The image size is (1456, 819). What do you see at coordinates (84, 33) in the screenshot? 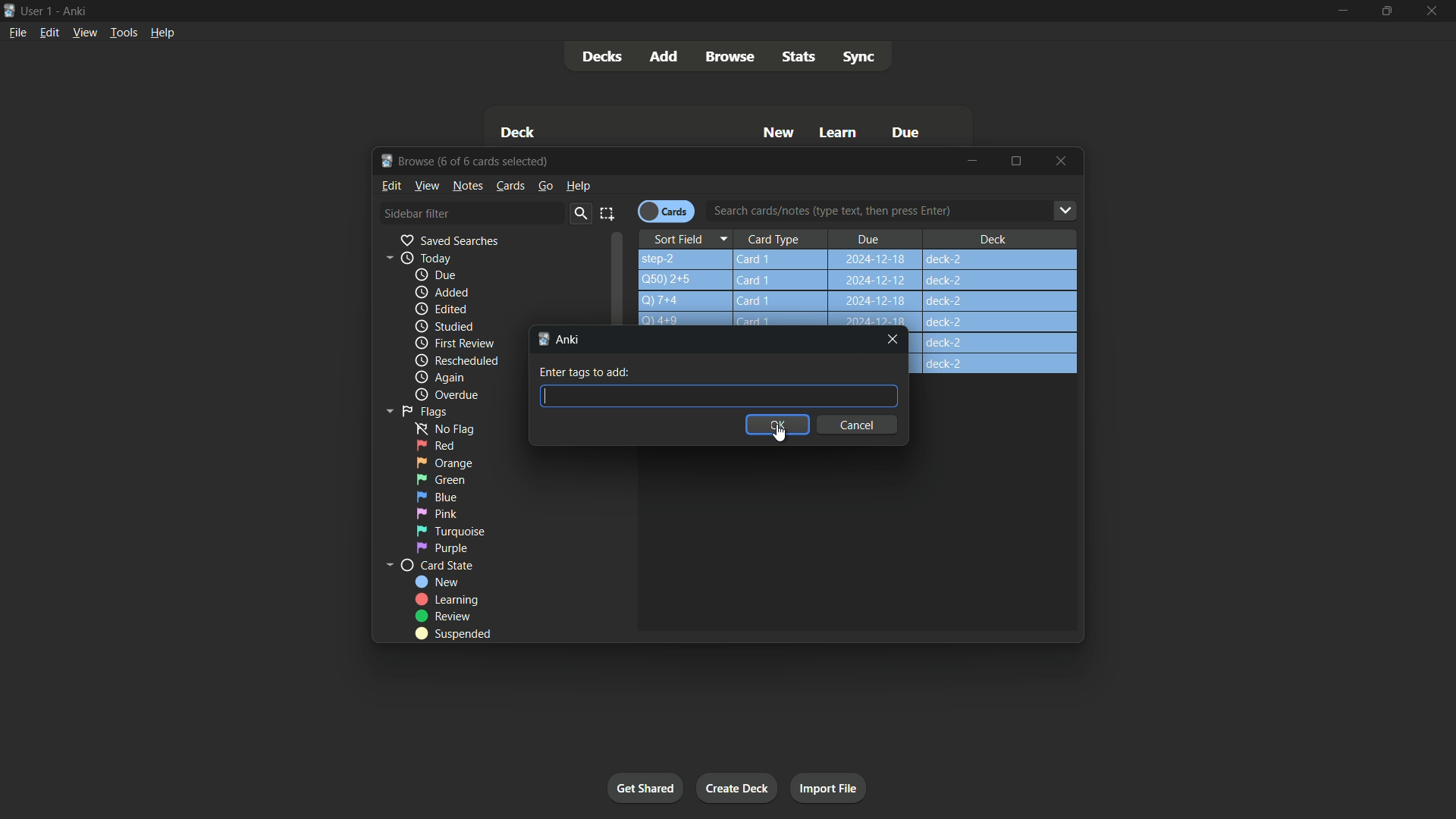
I see `View menu` at bounding box center [84, 33].